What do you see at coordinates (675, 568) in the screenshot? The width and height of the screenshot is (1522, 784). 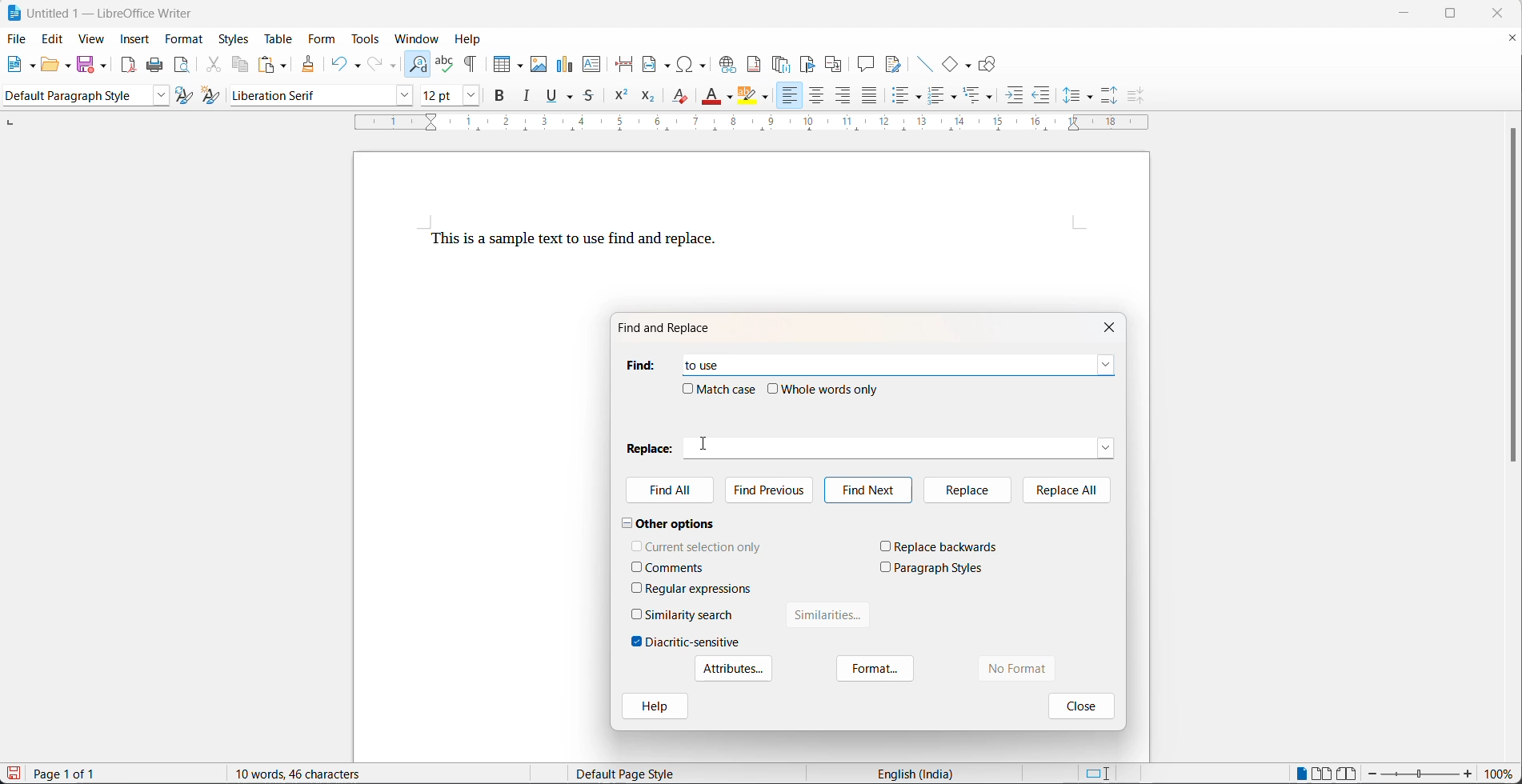 I see `comments` at bounding box center [675, 568].